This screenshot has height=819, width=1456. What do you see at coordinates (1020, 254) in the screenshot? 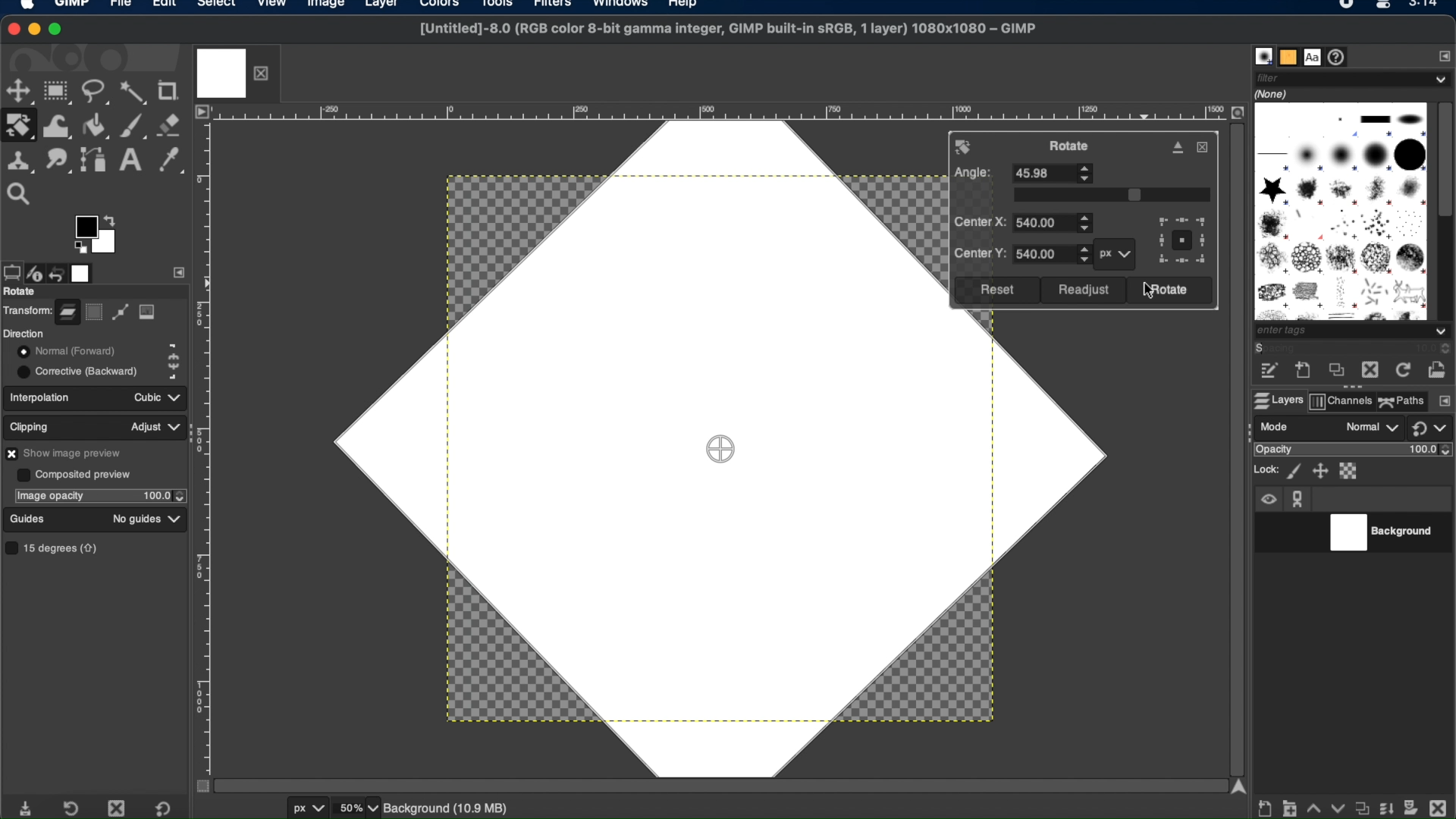
I see `center y` at bounding box center [1020, 254].